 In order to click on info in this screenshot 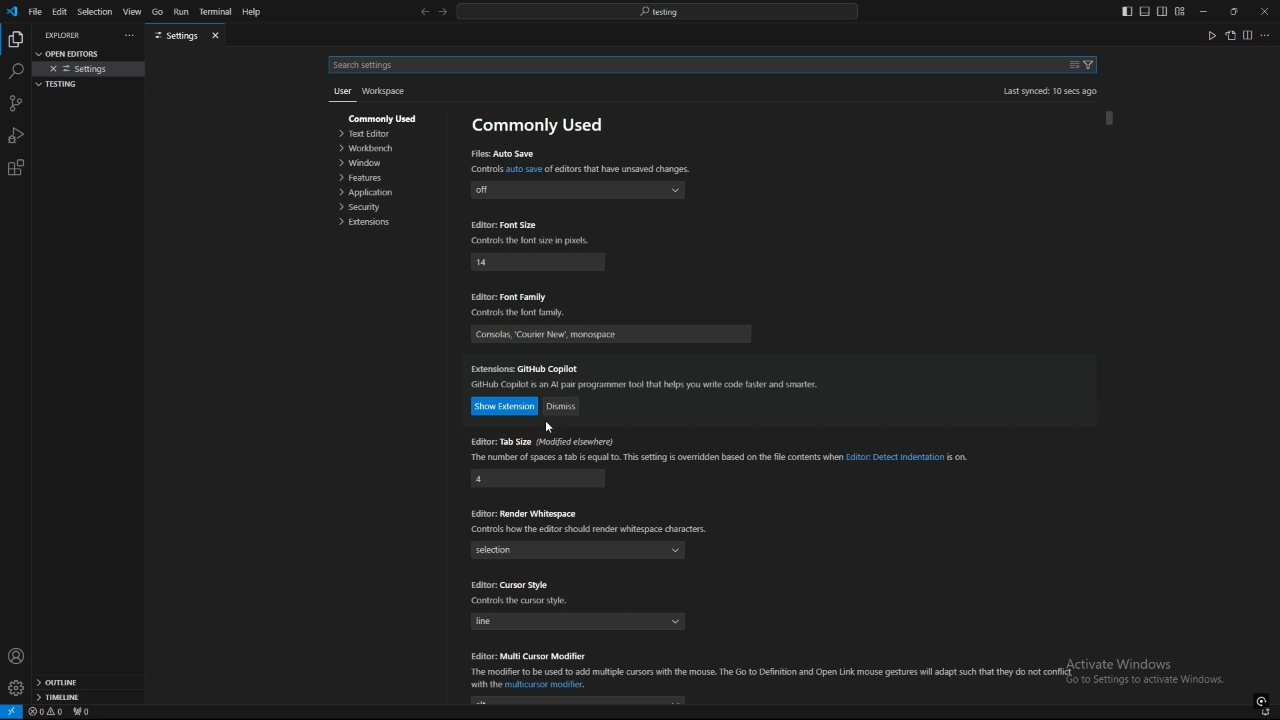, I will do `click(581, 168)`.